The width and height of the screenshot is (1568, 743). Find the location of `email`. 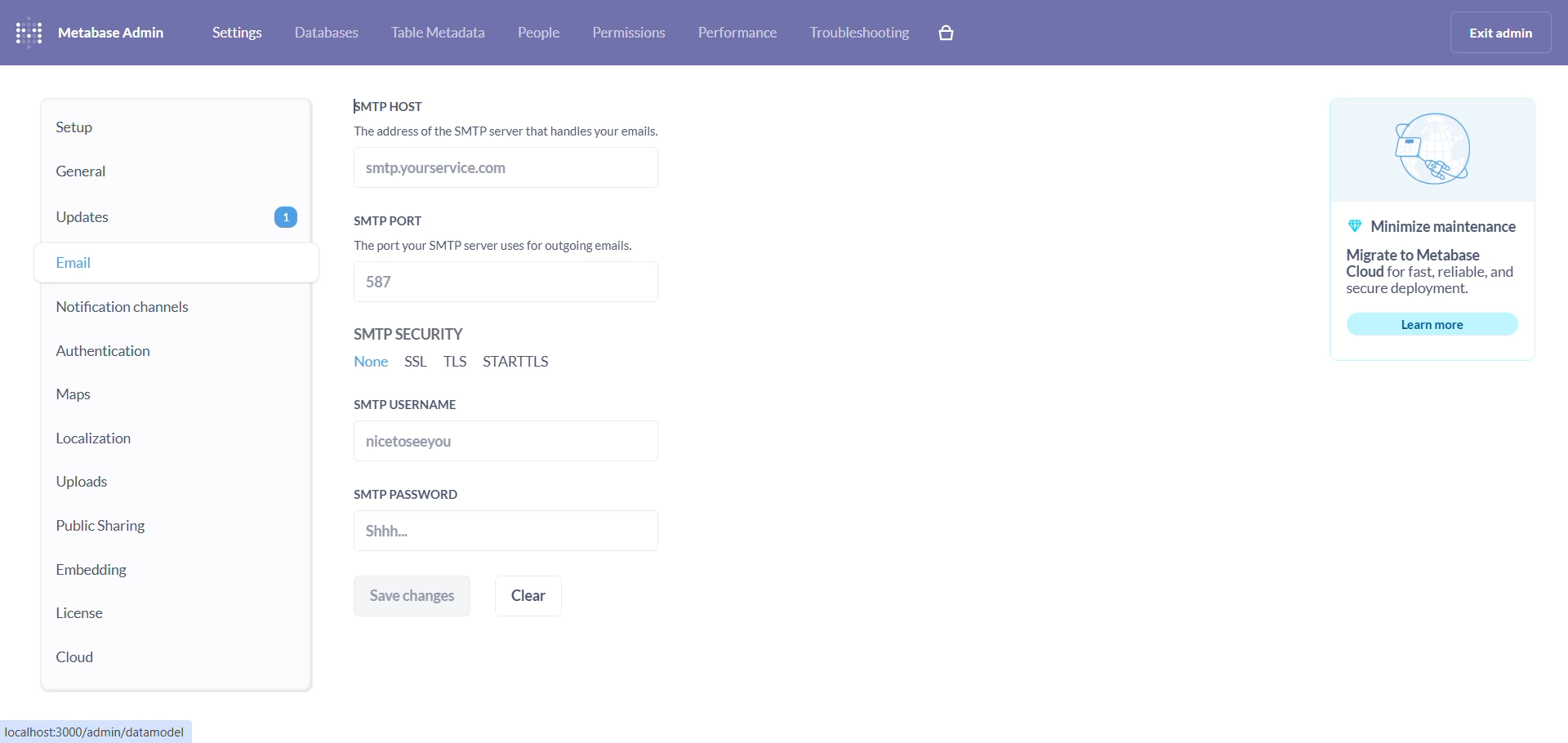

email is located at coordinates (160, 265).